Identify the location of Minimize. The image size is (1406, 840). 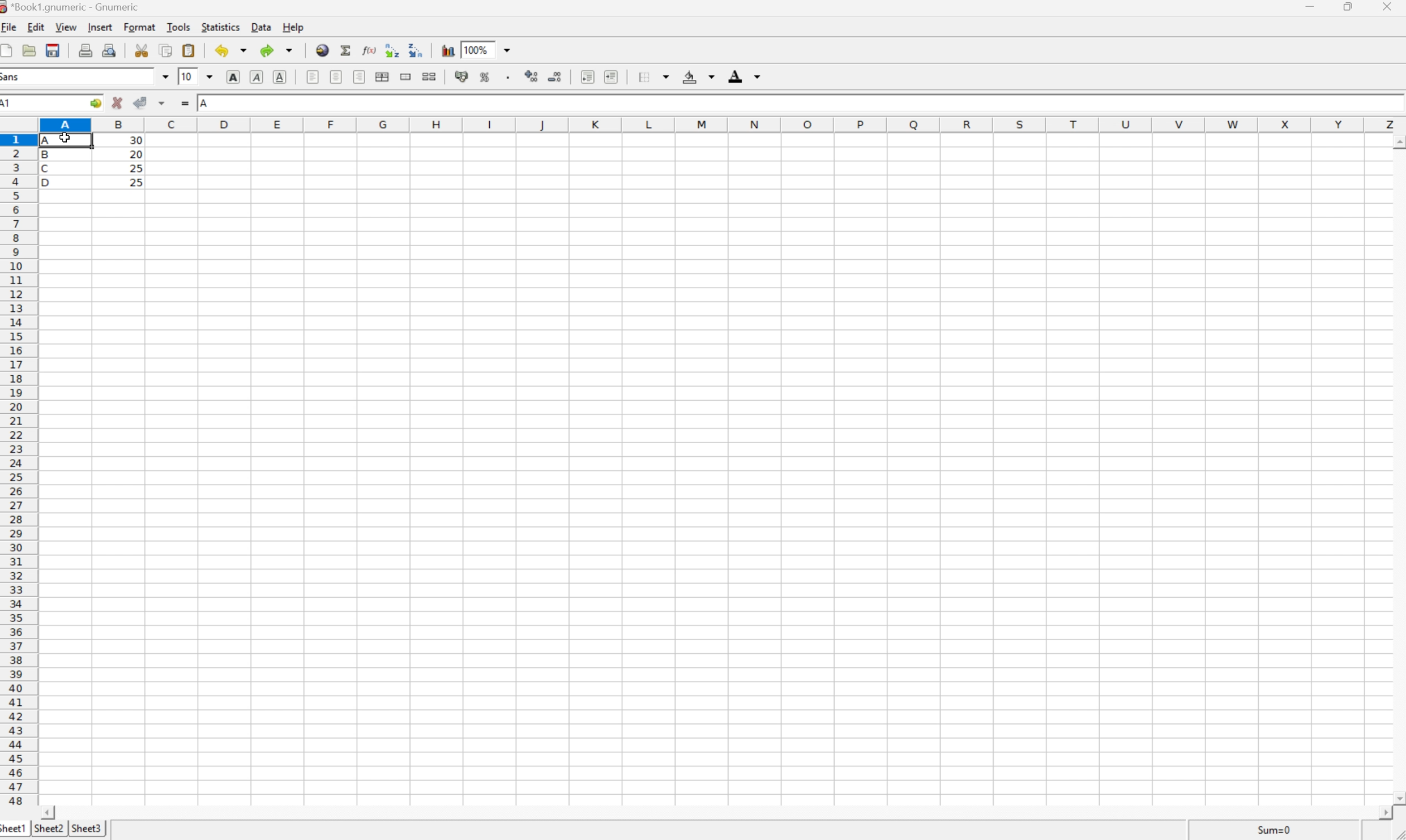
(1310, 6).